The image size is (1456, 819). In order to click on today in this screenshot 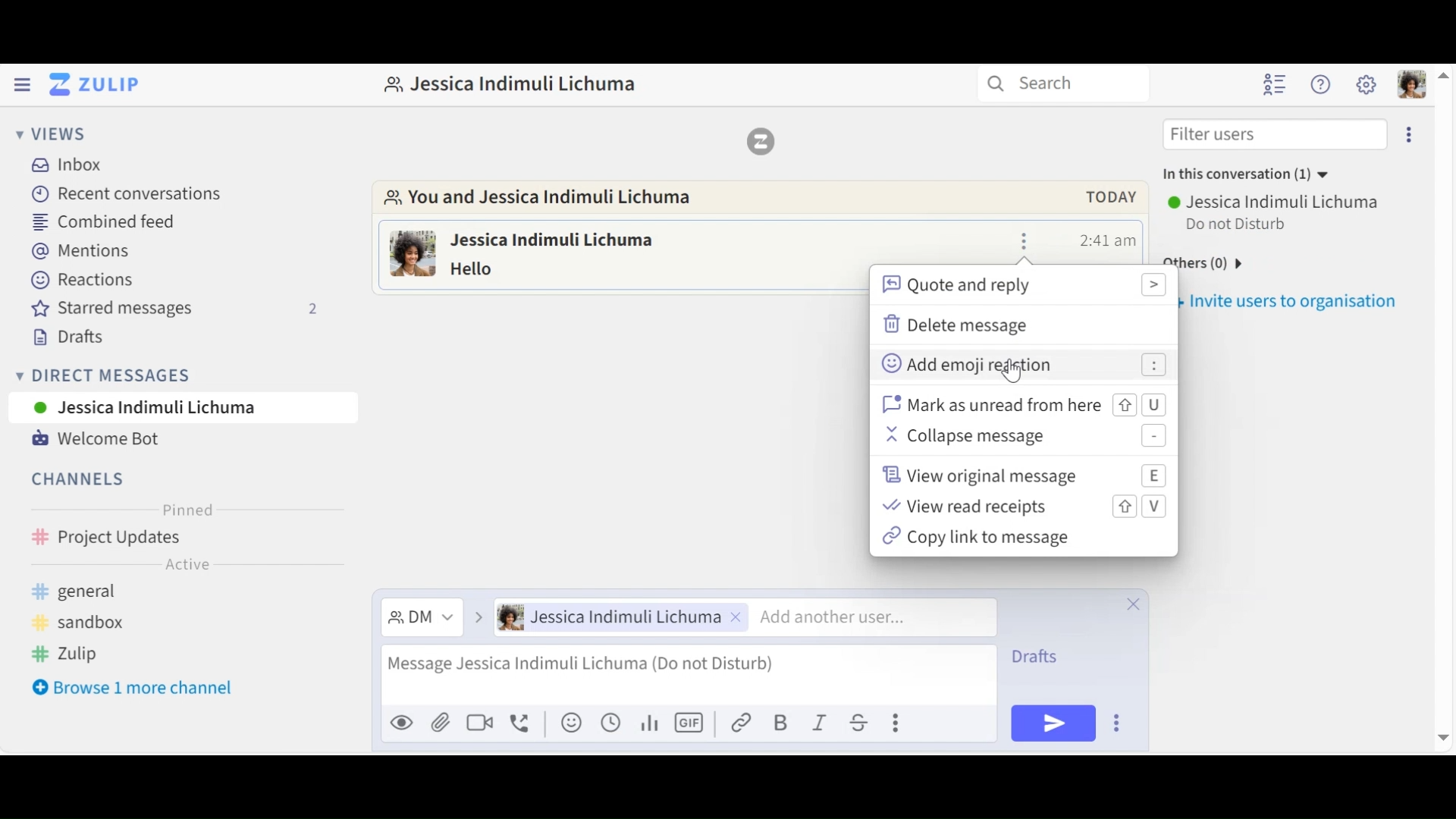, I will do `click(1103, 197)`.